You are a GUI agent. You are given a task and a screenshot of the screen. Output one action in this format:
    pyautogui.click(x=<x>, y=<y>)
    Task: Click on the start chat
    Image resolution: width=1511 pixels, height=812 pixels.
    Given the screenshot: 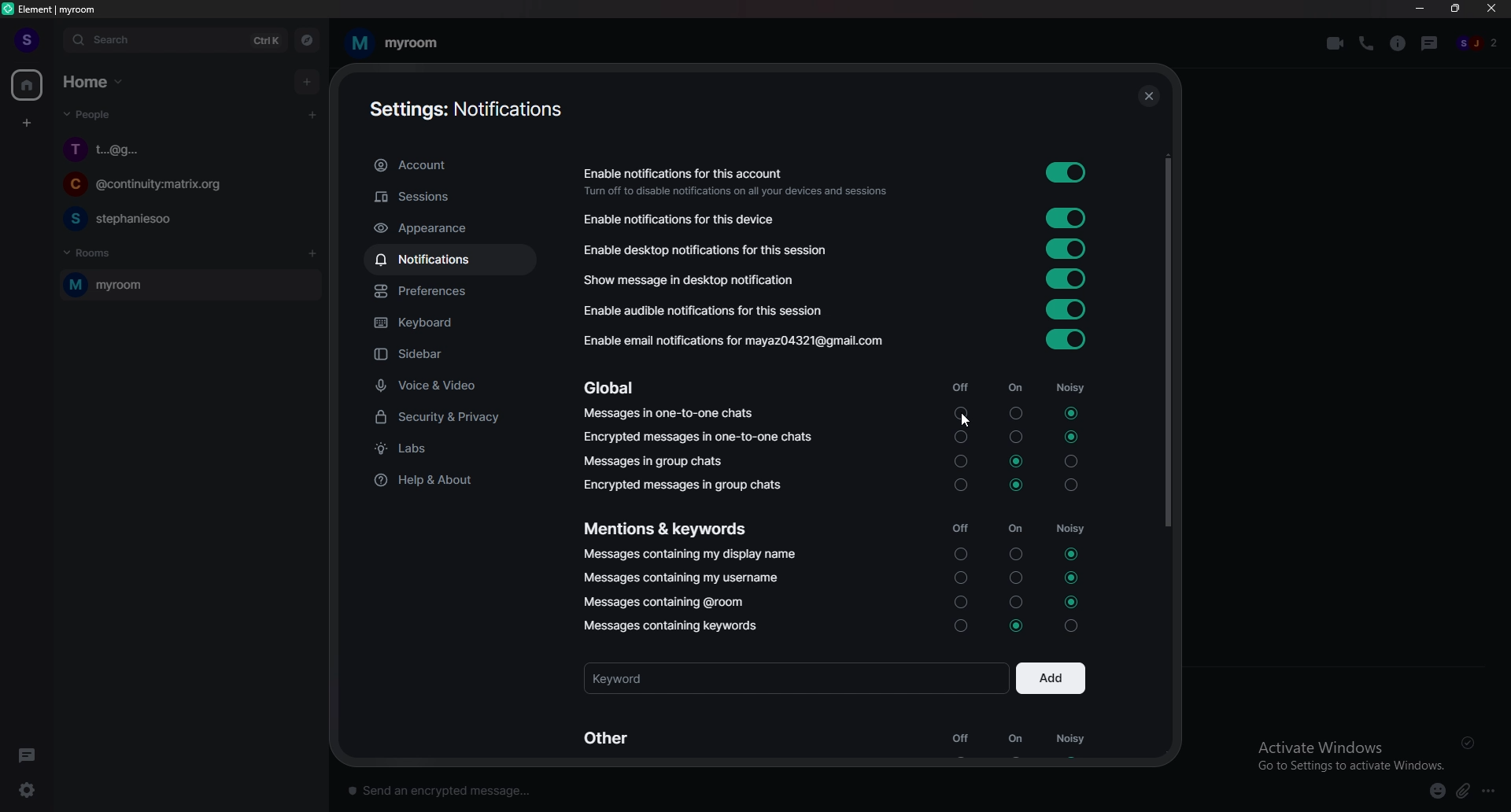 What is the action you would take?
    pyautogui.click(x=312, y=116)
    